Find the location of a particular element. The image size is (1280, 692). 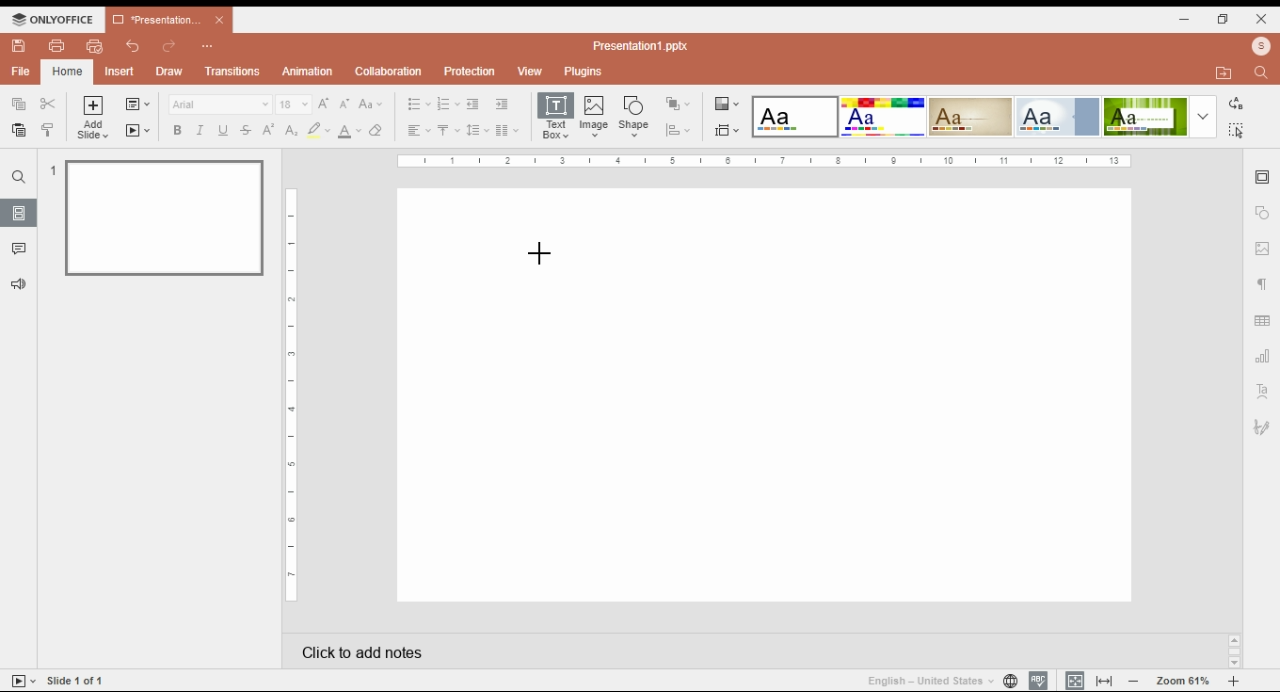

insert text box is located at coordinates (555, 117).